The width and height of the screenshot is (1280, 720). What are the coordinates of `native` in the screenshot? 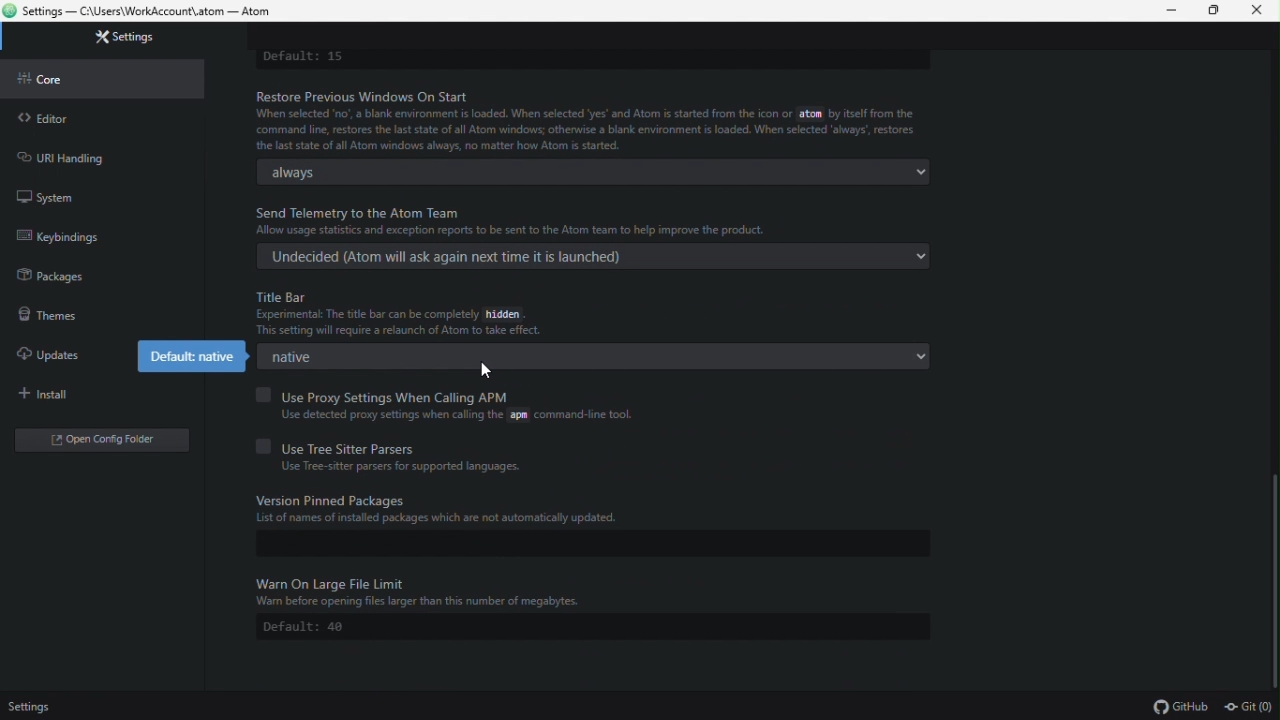 It's located at (596, 356).